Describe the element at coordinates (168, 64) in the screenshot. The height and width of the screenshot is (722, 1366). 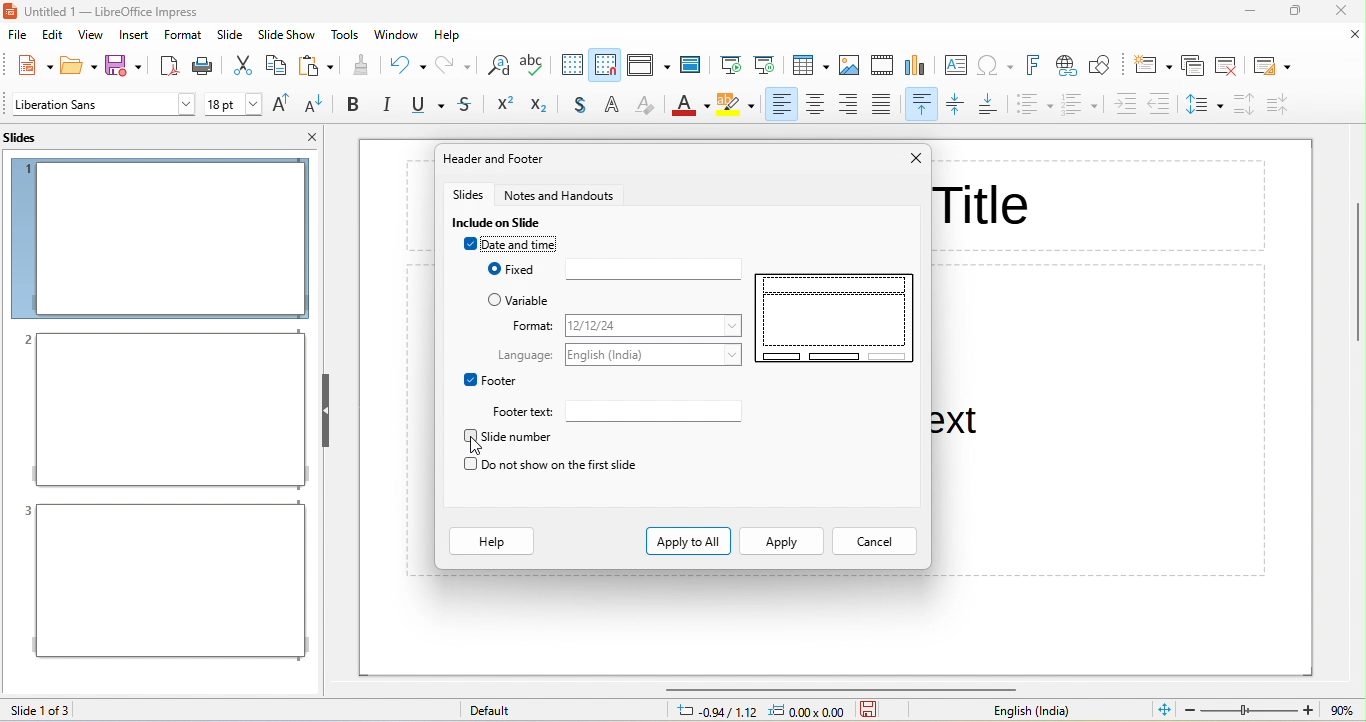
I see `export directly as pdf` at that location.